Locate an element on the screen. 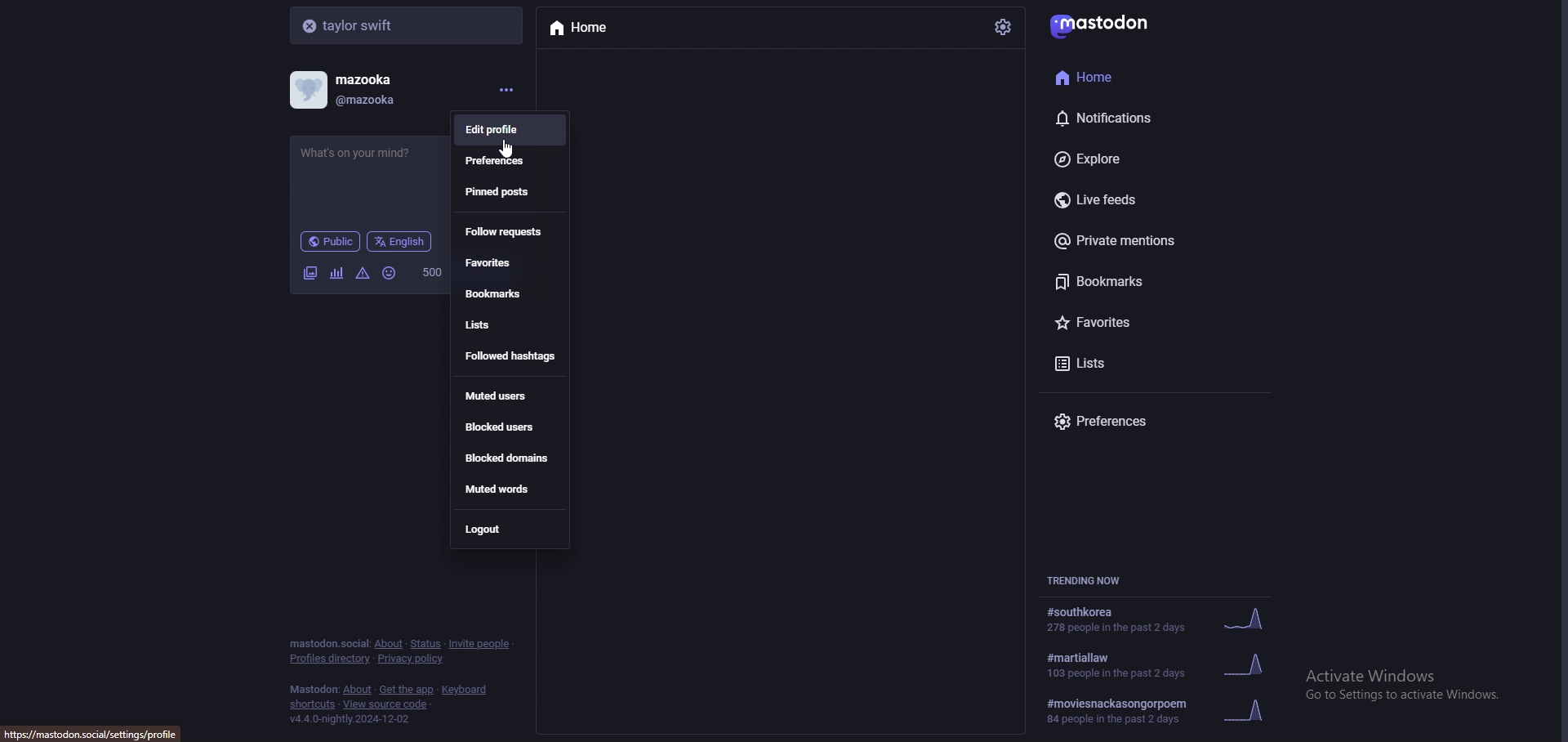 This screenshot has width=1568, height=742. follow requests is located at coordinates (508, 231).